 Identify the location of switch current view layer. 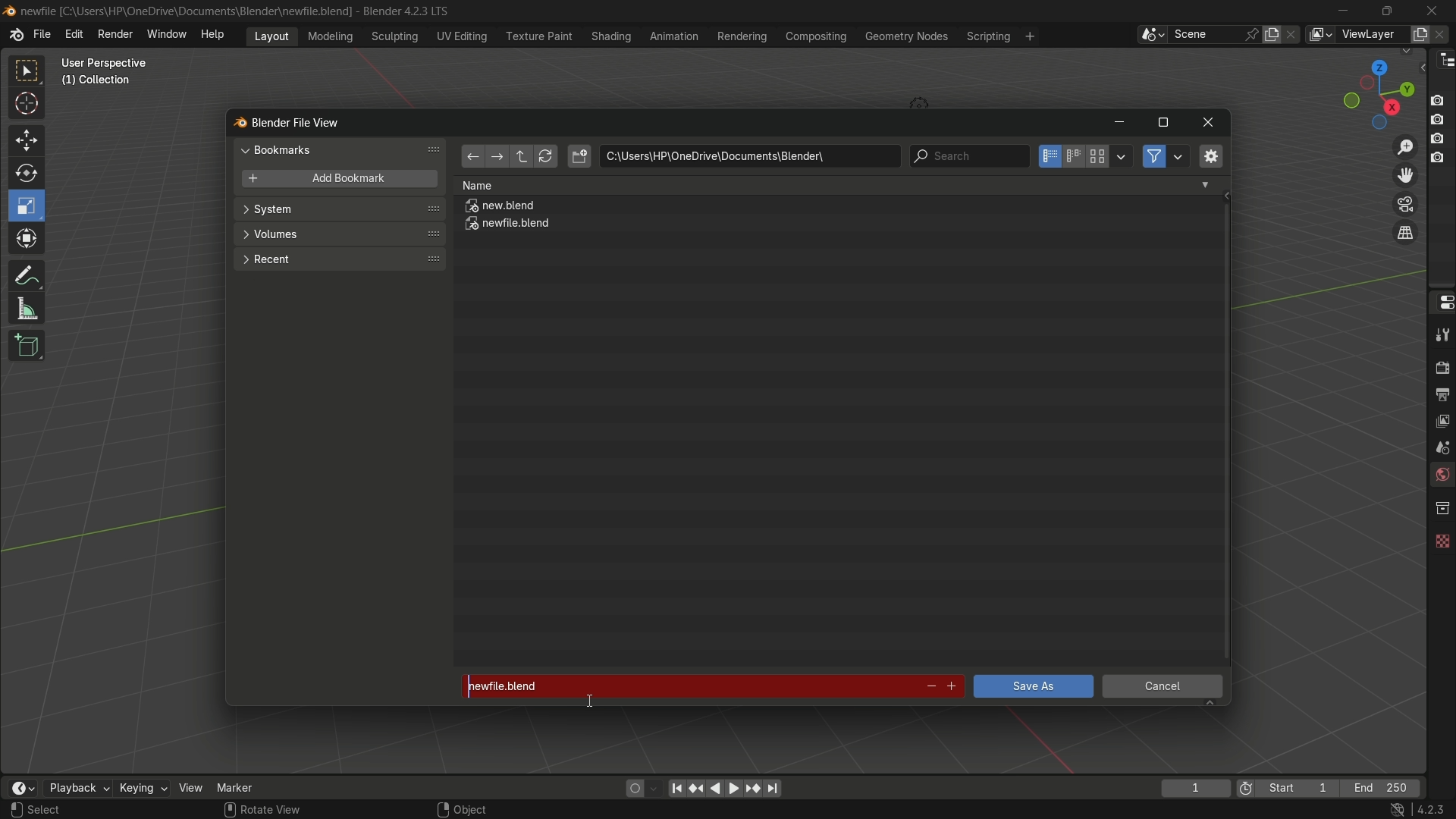
(1405, 234).